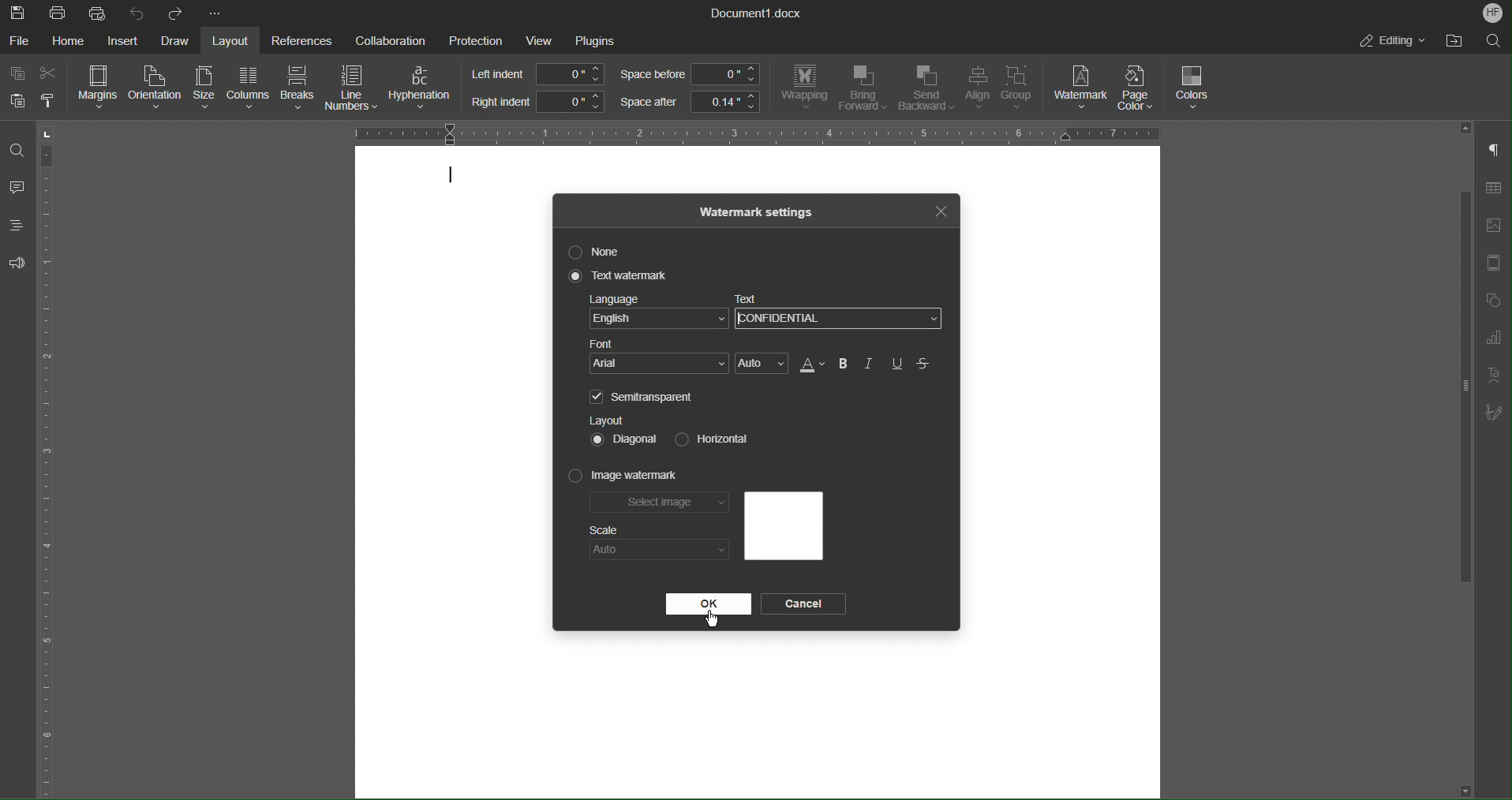 This screenshot has width=1512, height=800. I want to click on Save, so click(19, 13).